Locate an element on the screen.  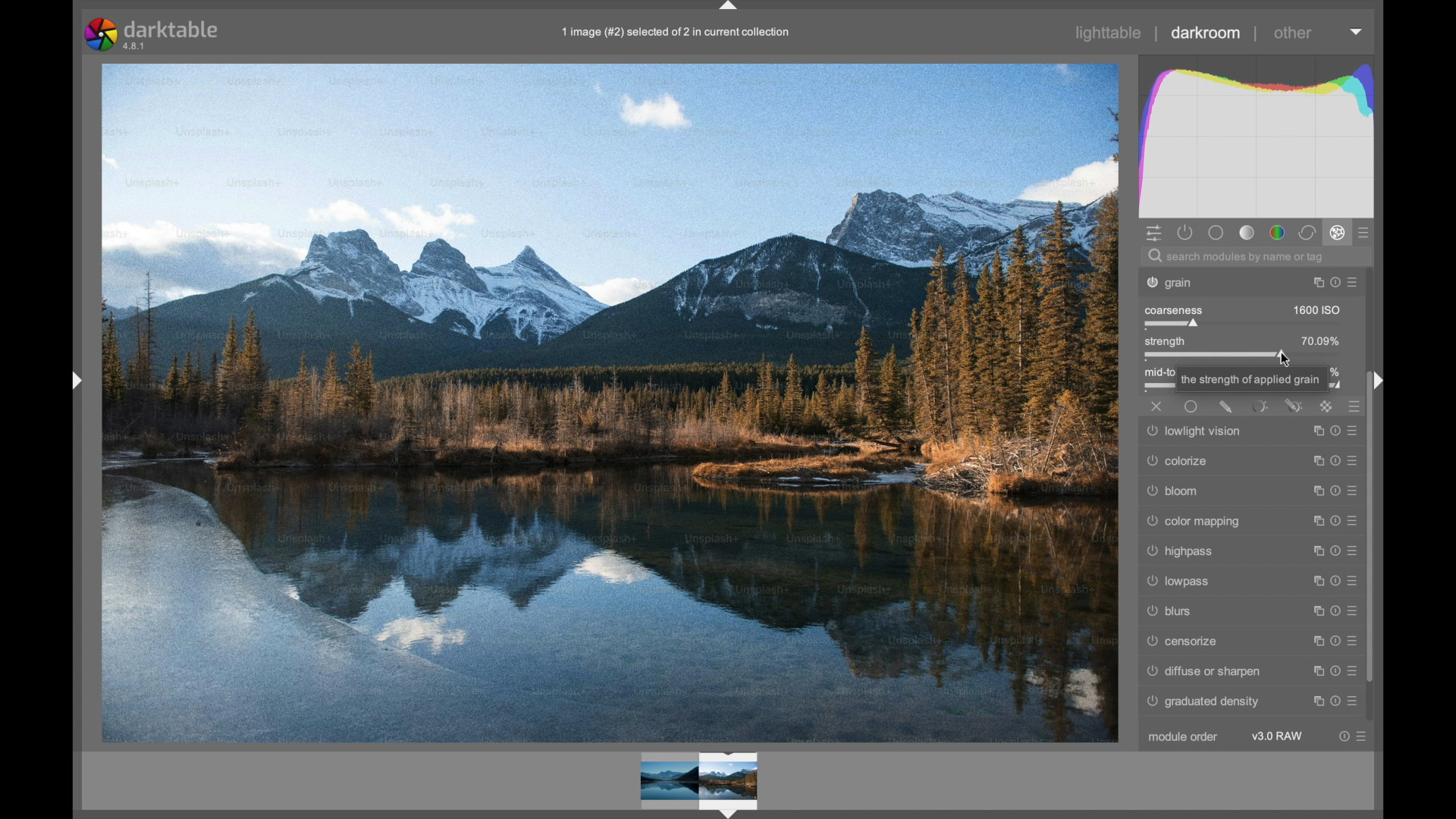
presets is located at coordinates (1358, 703).